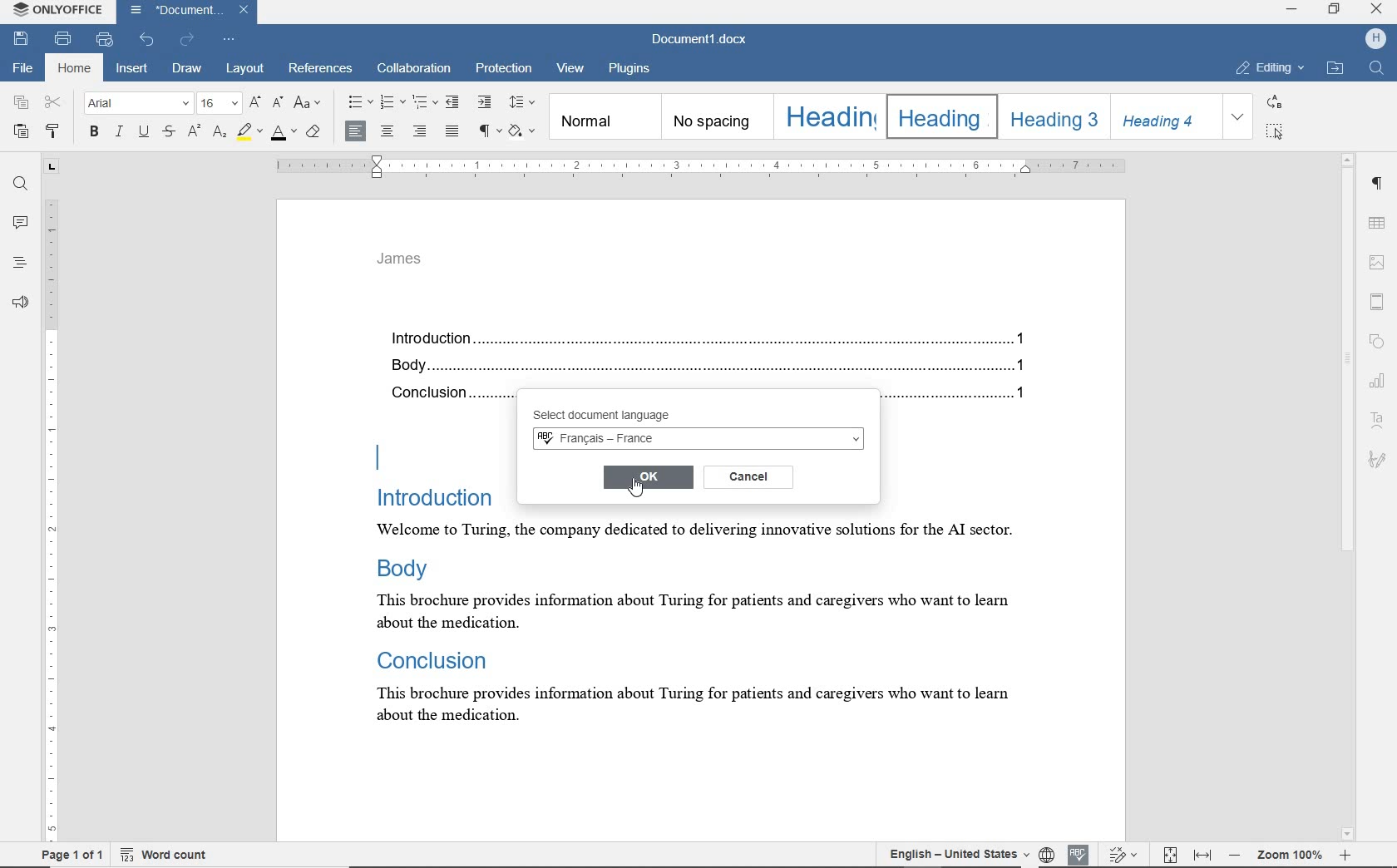 The width and height of the screenshot is (1397, 868). I want to click on superscript, so click(193, 131).